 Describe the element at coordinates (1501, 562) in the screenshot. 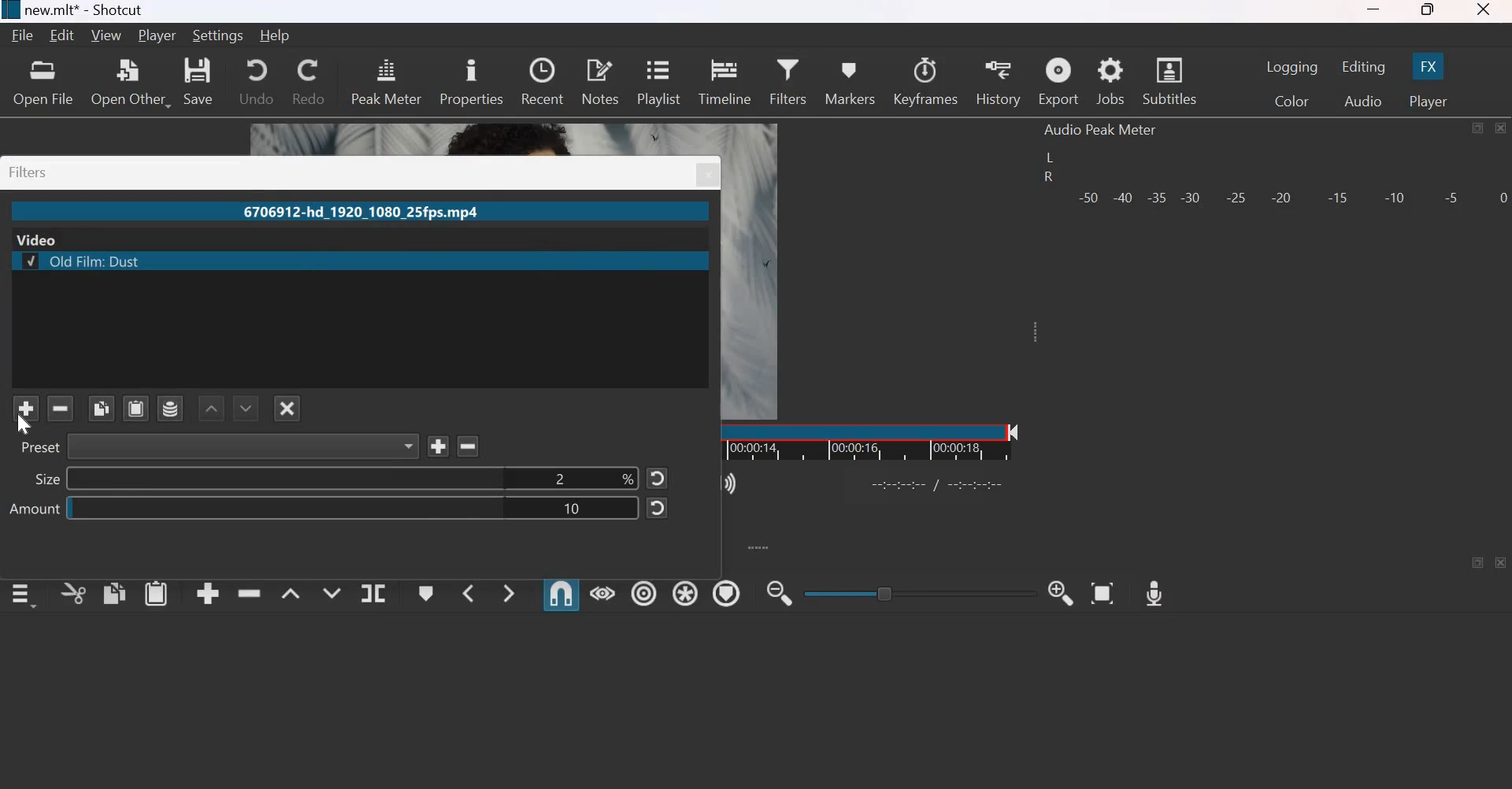

I see `close` at that location.